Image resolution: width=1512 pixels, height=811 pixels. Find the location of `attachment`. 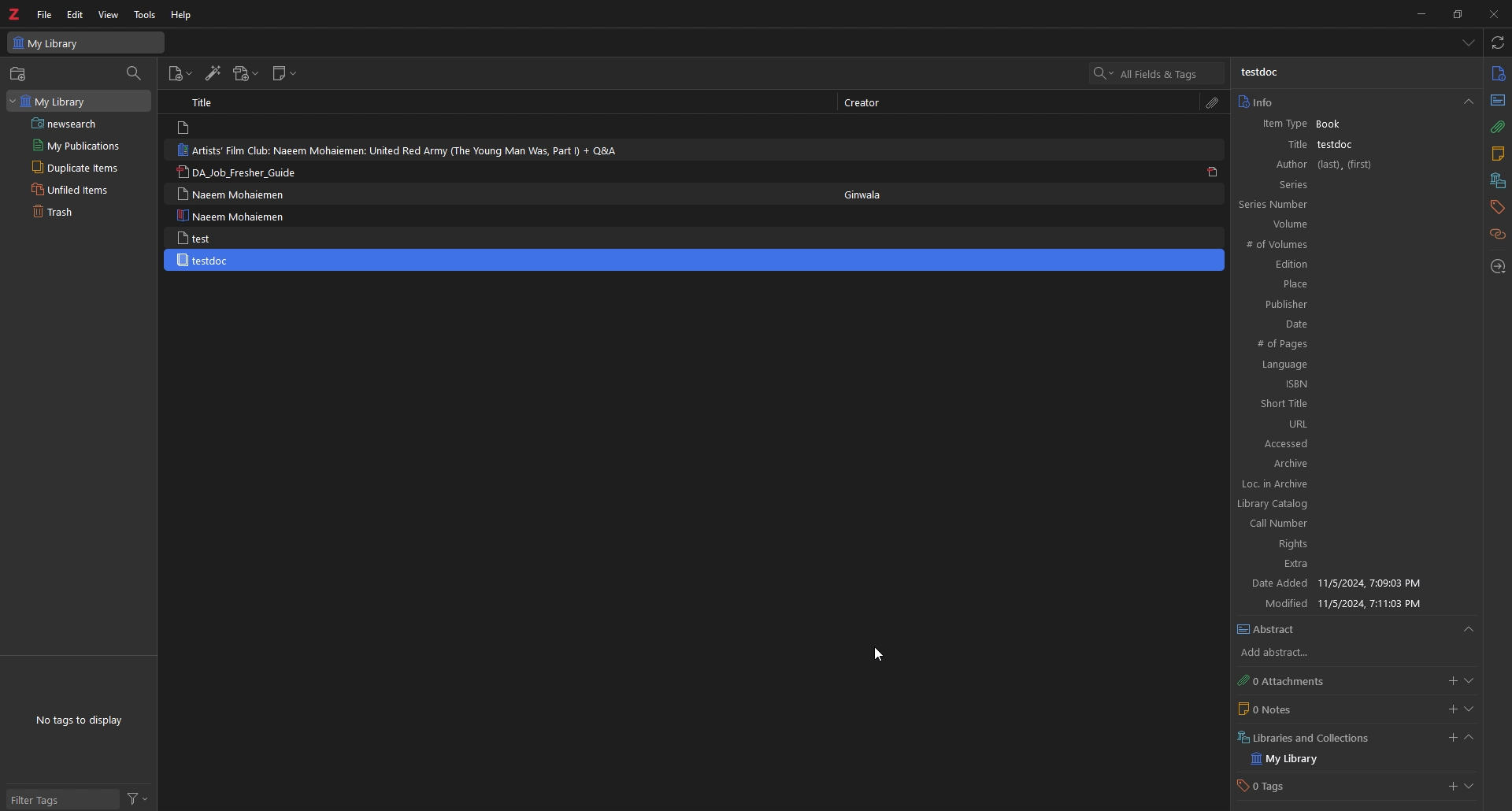

attachment is located at coordinates (1213, 103).